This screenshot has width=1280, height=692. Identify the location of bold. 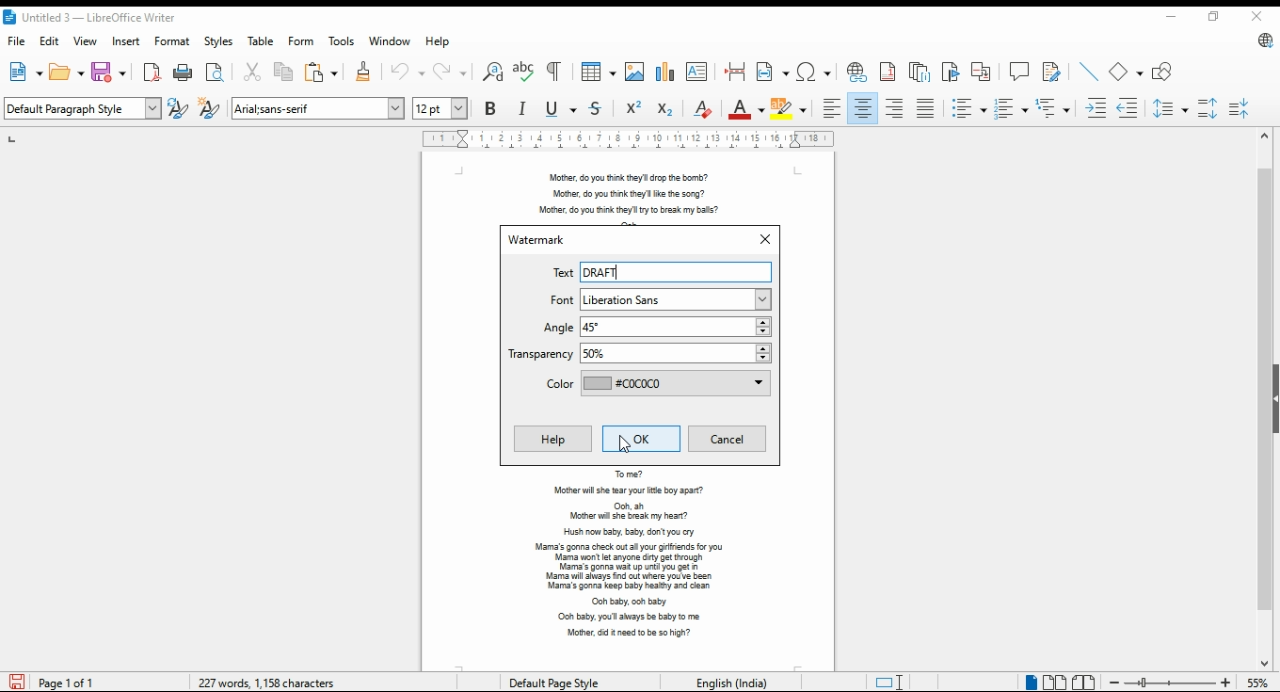
(493, 108).